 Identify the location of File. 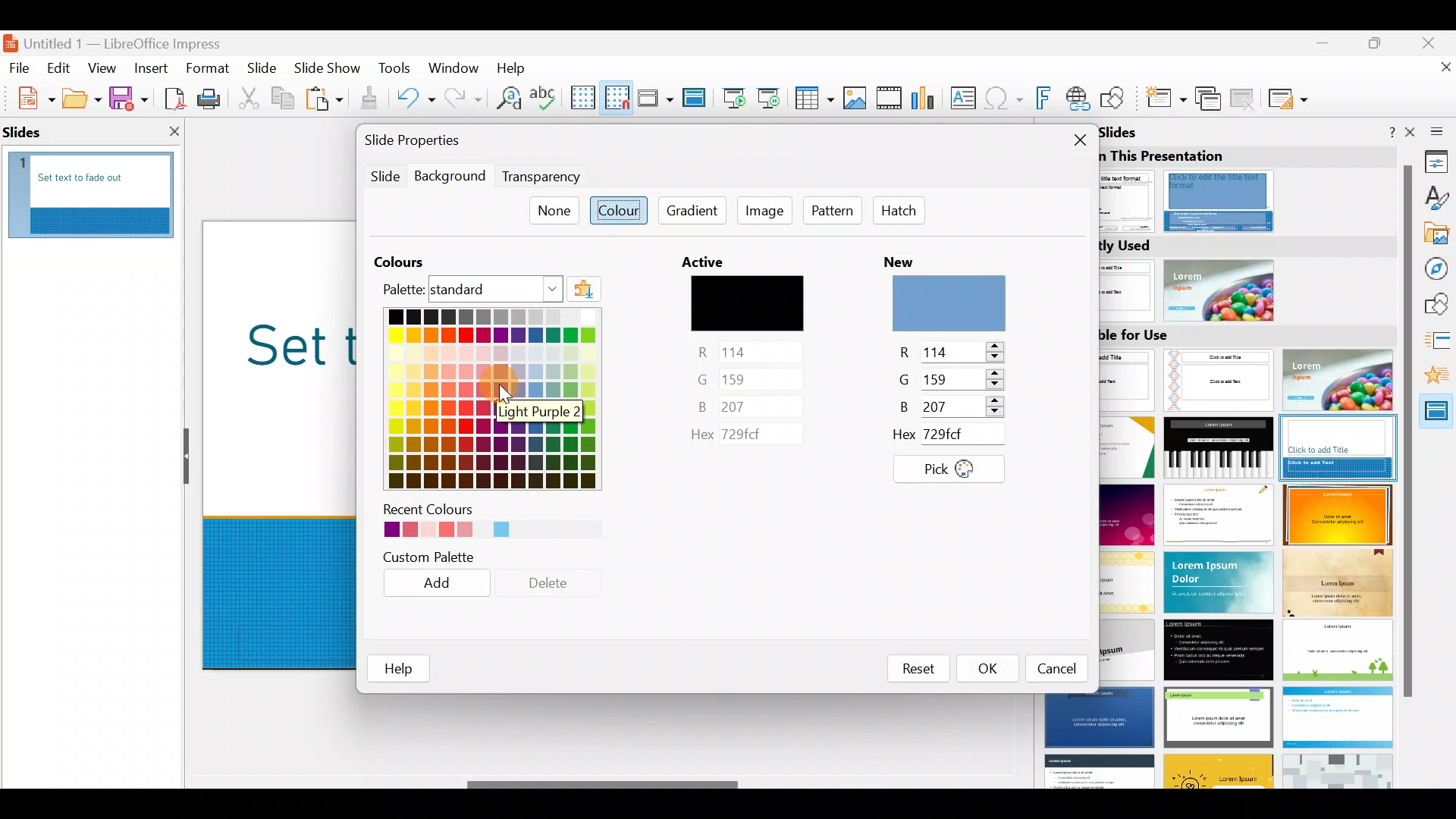
(20, 67).